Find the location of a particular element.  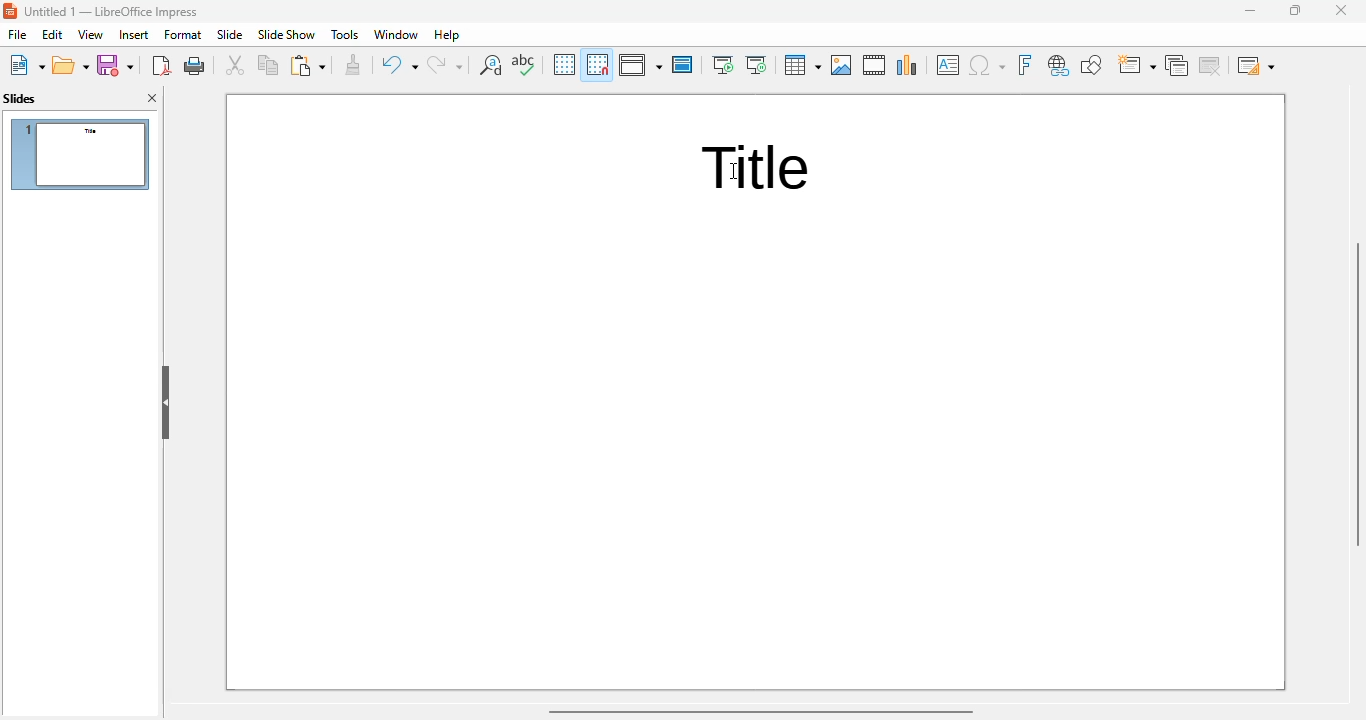

slide show is located at coordinates (288, 34).